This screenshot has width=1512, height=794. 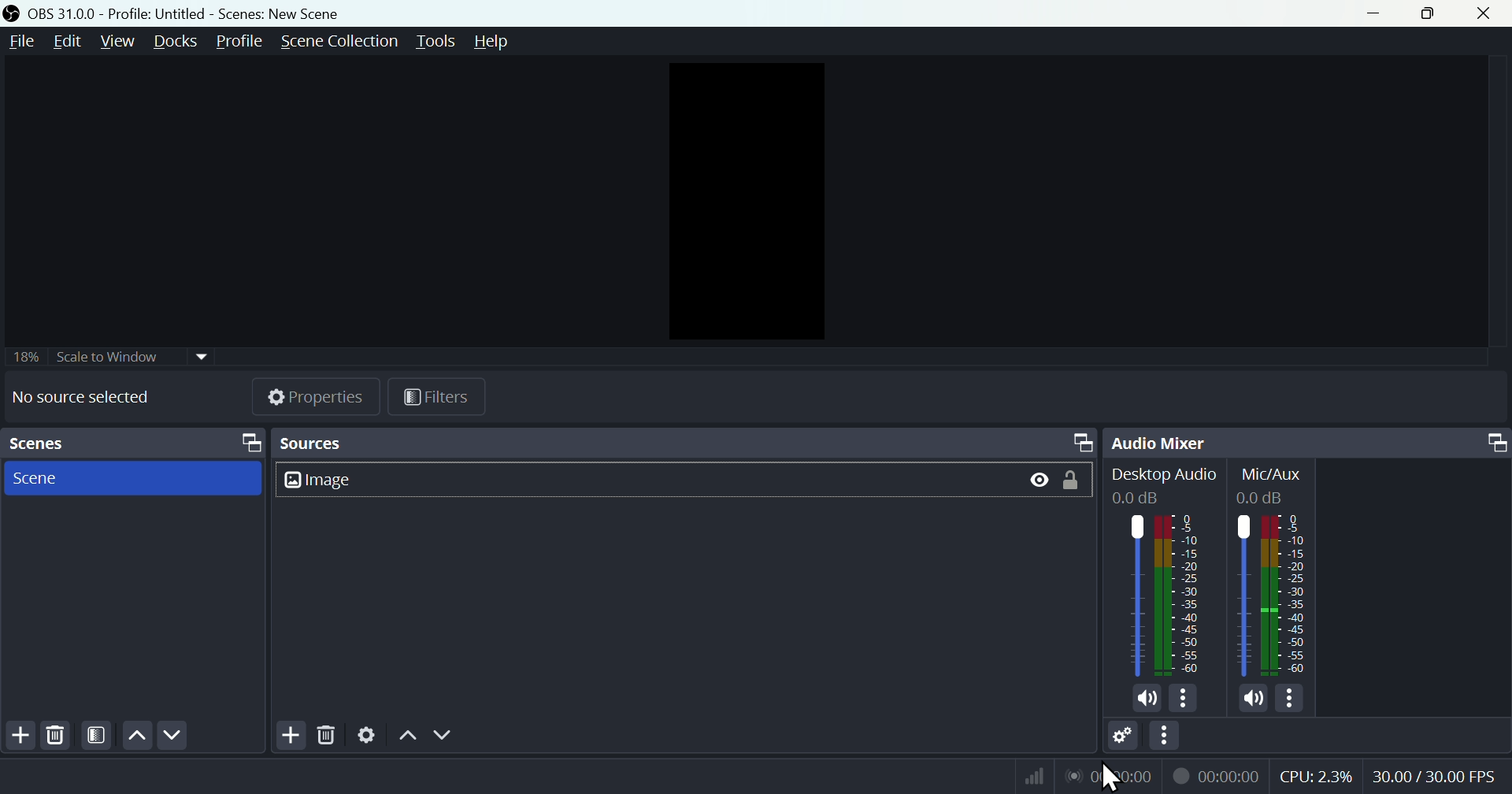 I want to click on file, so click(x=23, y=42).